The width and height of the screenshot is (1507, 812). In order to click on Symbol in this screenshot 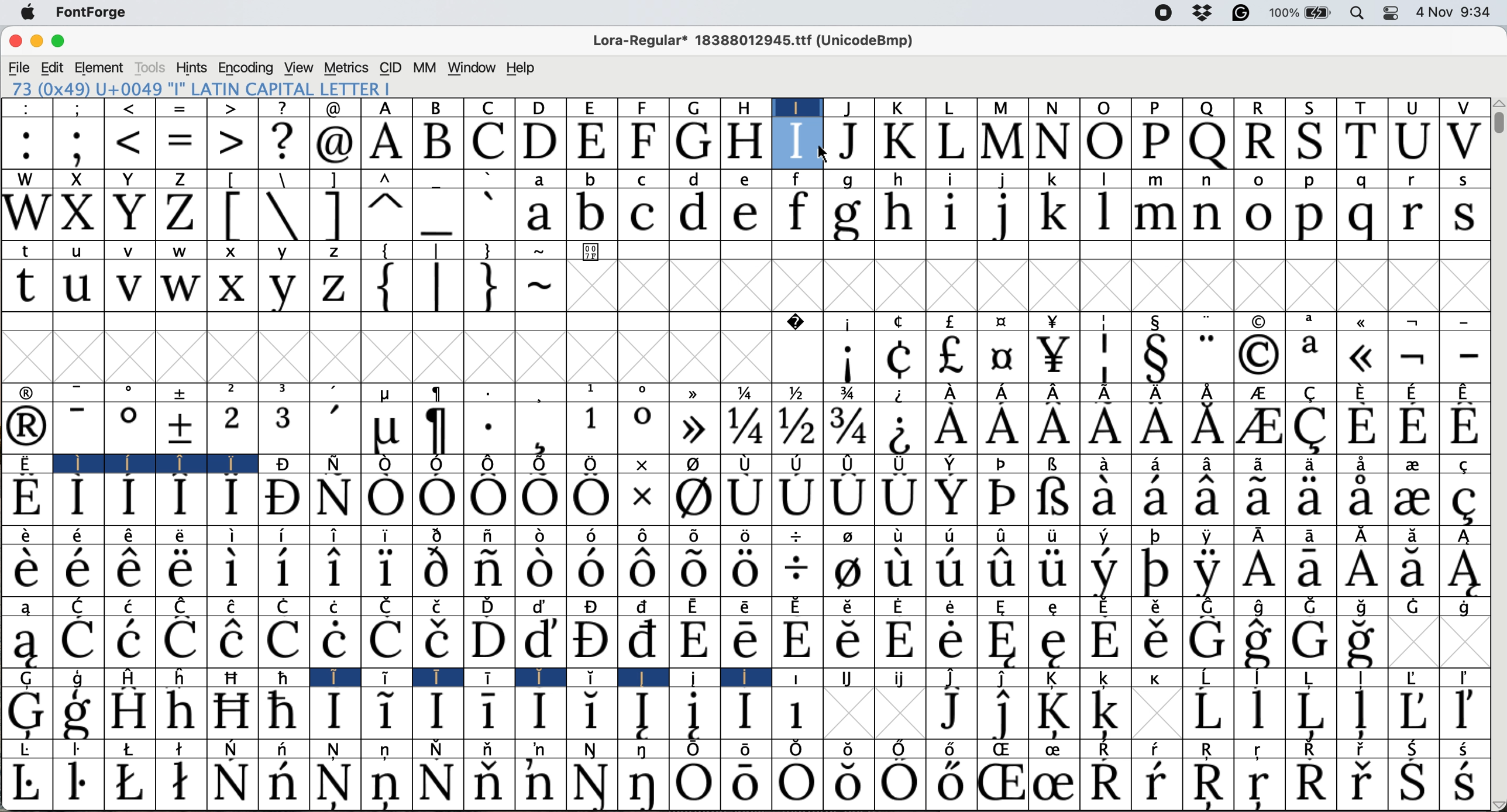, I will do `click(283, 784)`.